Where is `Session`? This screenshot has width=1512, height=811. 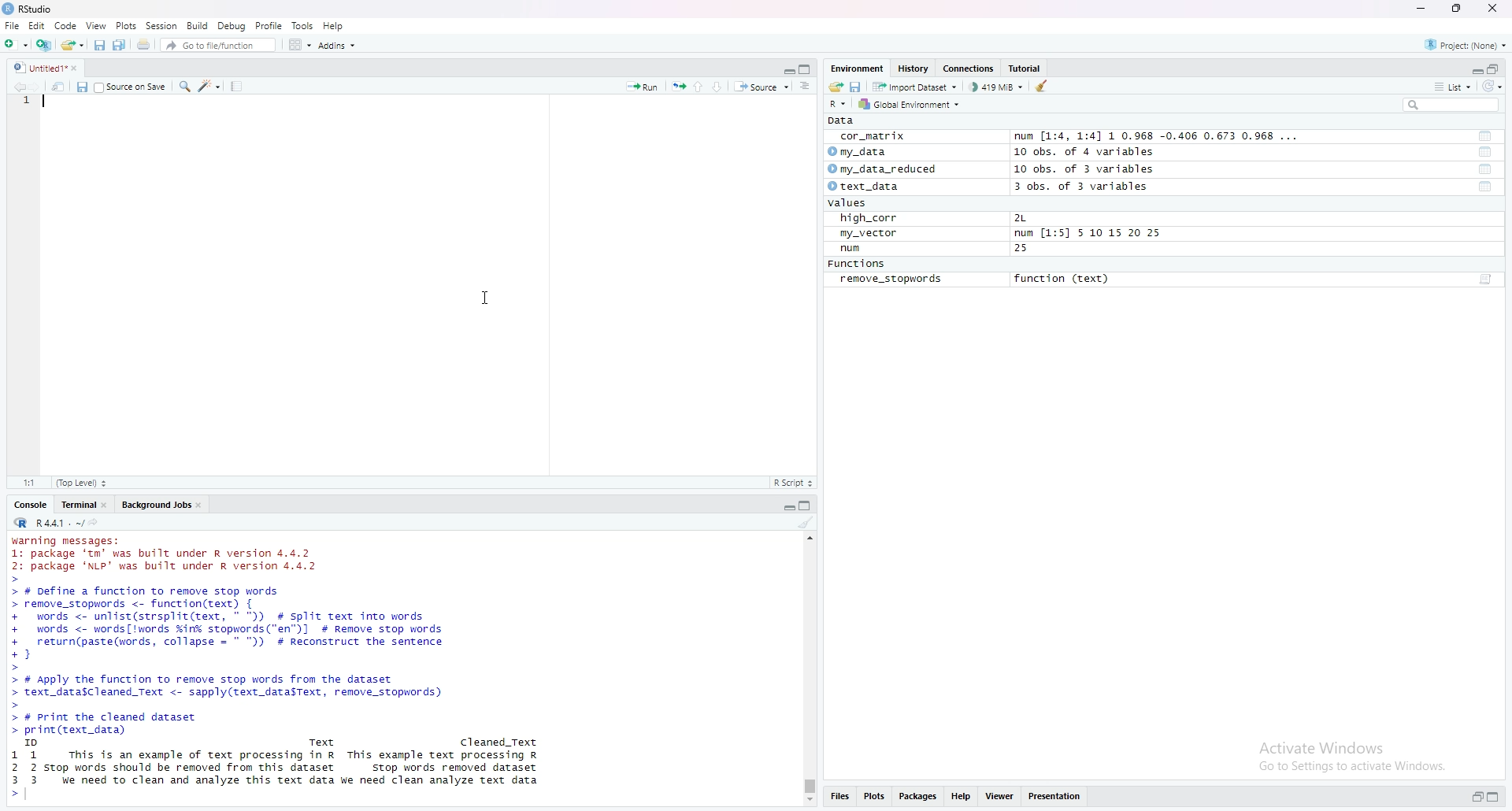 Session is located at coordinates (162, 25).